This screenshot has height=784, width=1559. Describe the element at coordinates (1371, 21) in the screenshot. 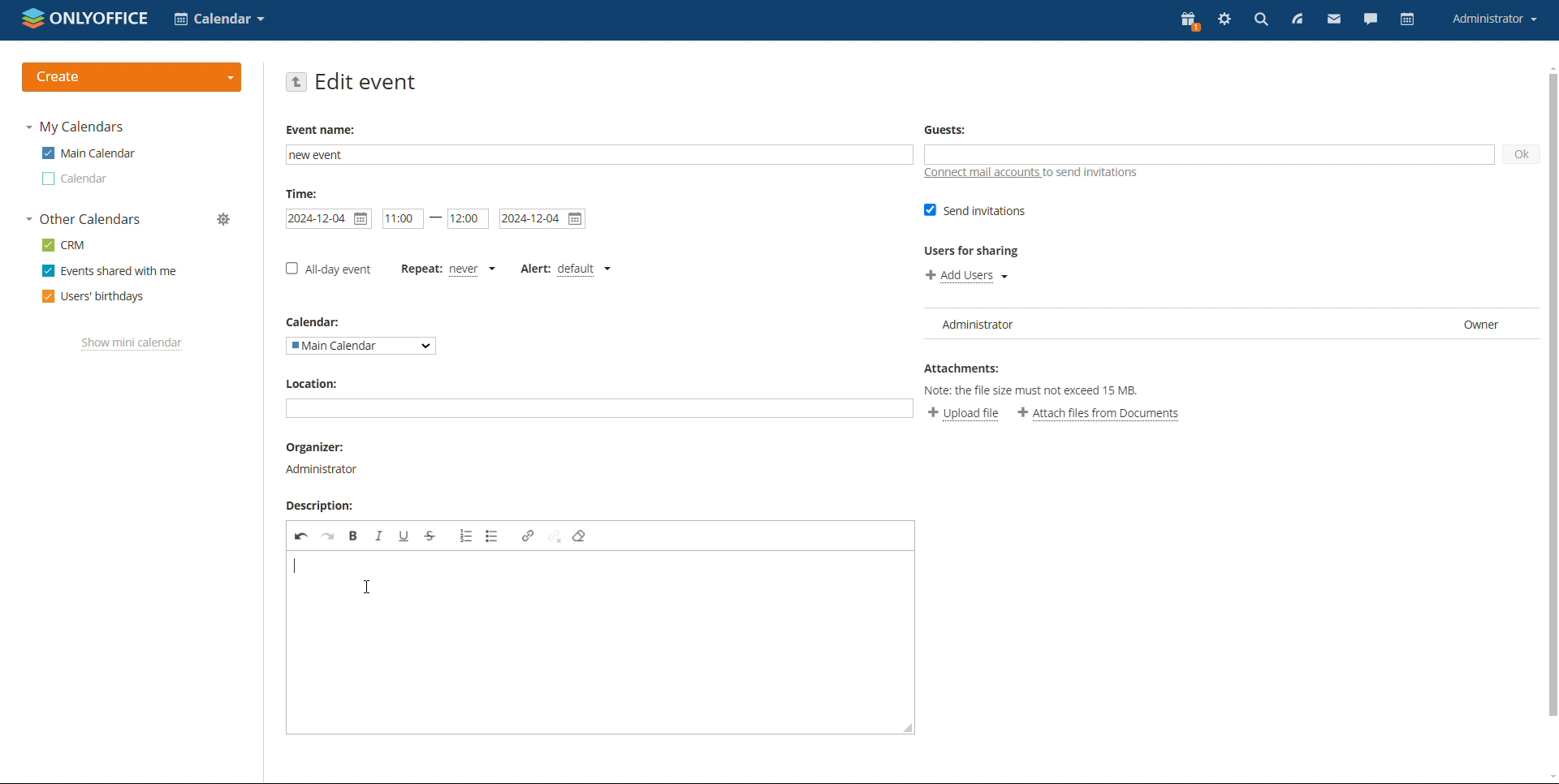

I see `chat` at that location.